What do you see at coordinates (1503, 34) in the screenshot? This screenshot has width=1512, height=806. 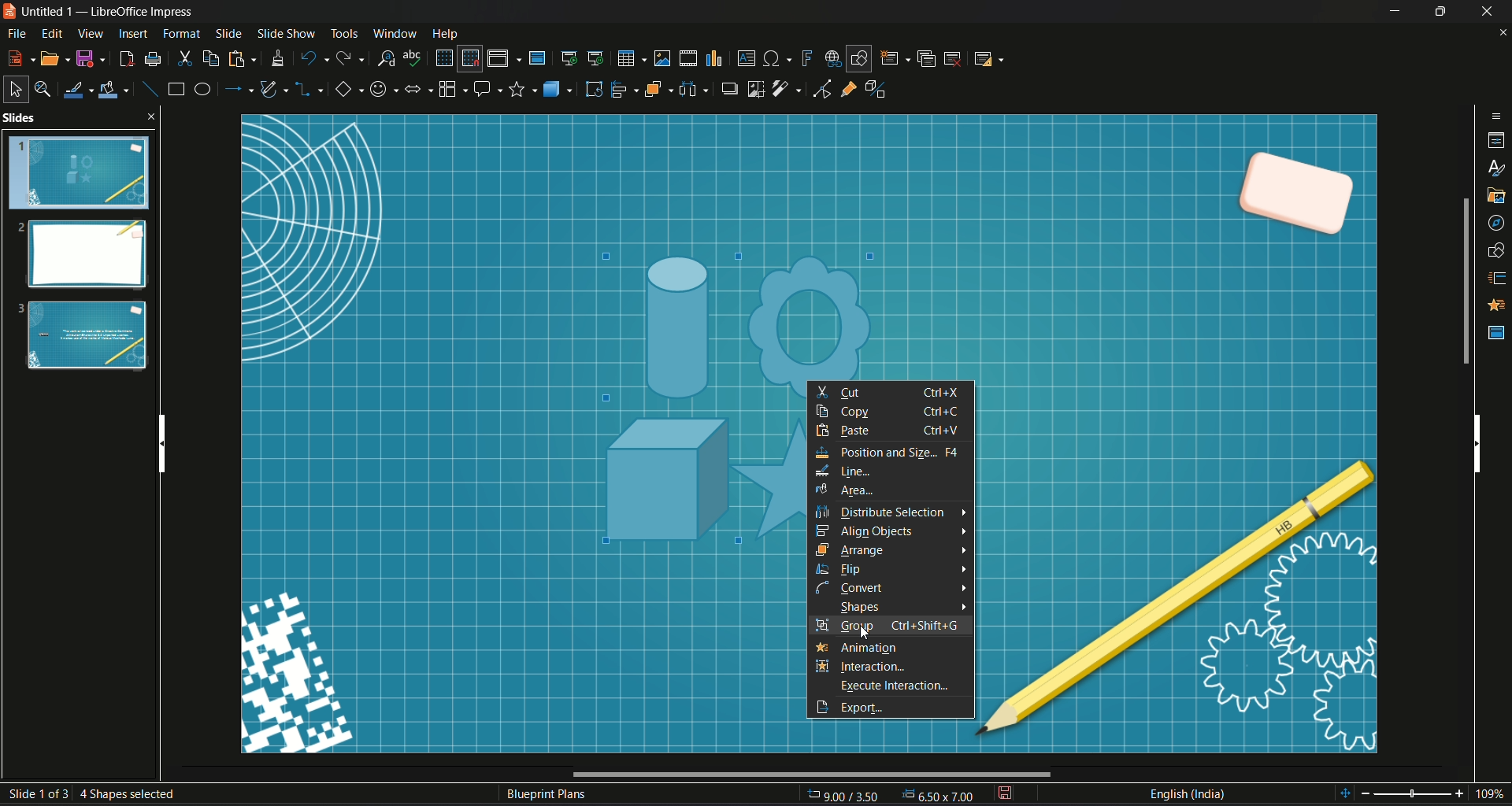 I see `close` at bounding box center [1503, 34].